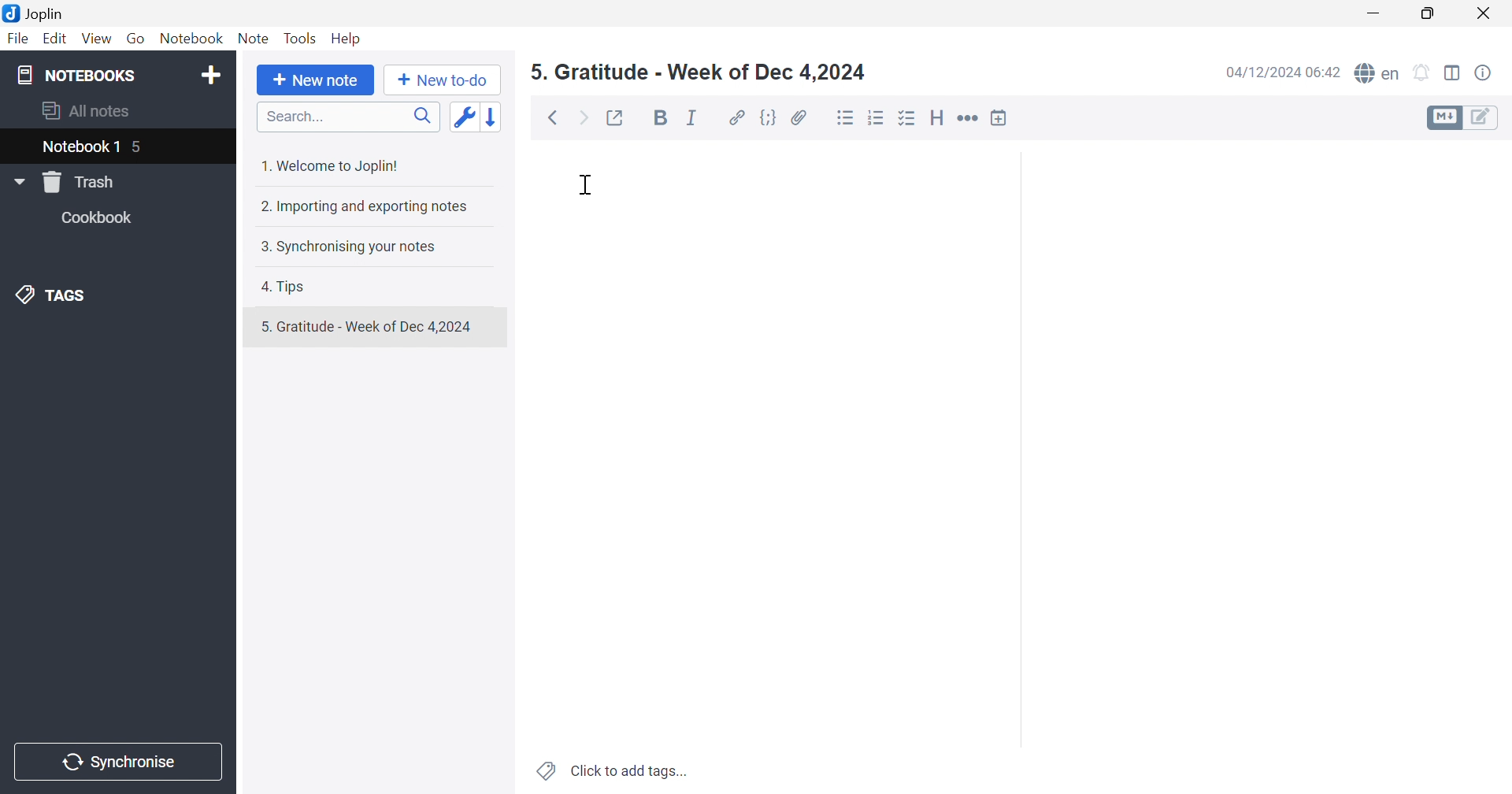 The width and height of the screenshot is (1512, 794). I want to click on Cursor, so click(584, 187).